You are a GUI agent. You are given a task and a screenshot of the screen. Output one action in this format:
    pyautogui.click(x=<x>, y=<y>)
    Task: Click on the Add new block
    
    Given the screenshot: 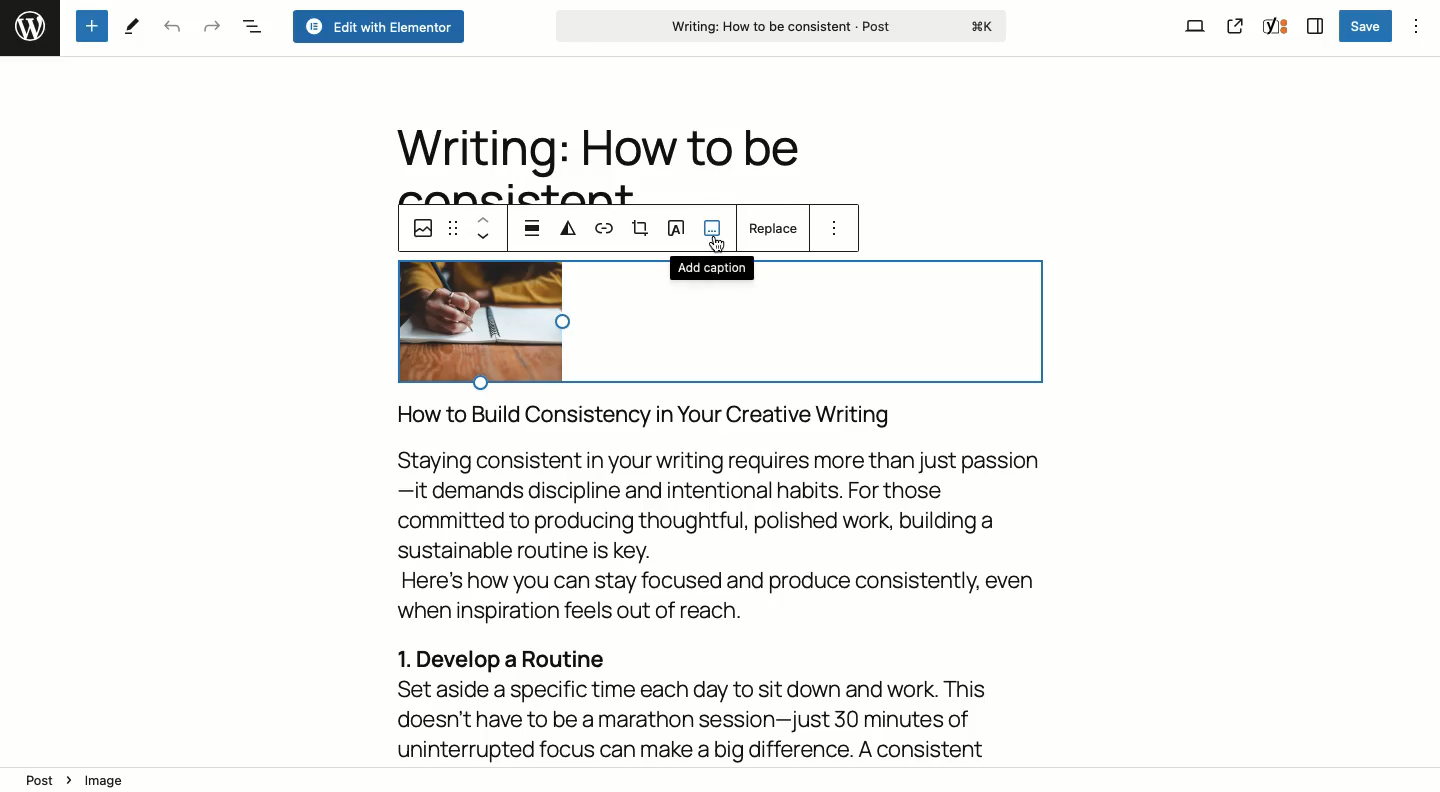 What is the action you would take?
    pyautogui.click(x=91, y=25)
    